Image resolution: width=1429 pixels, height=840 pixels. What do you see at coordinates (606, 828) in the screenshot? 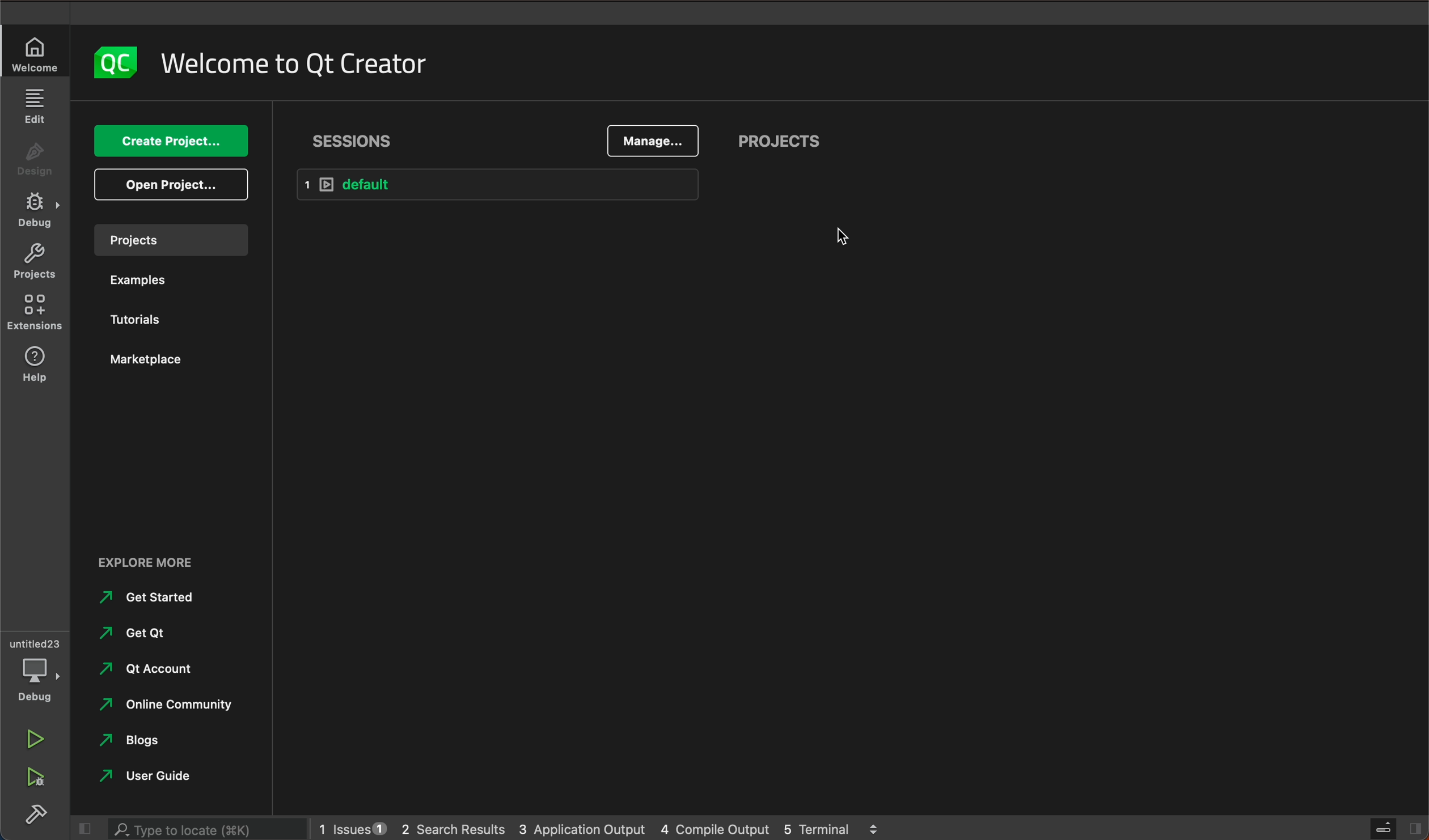
I see `logs` at bounding box center [606, 828].